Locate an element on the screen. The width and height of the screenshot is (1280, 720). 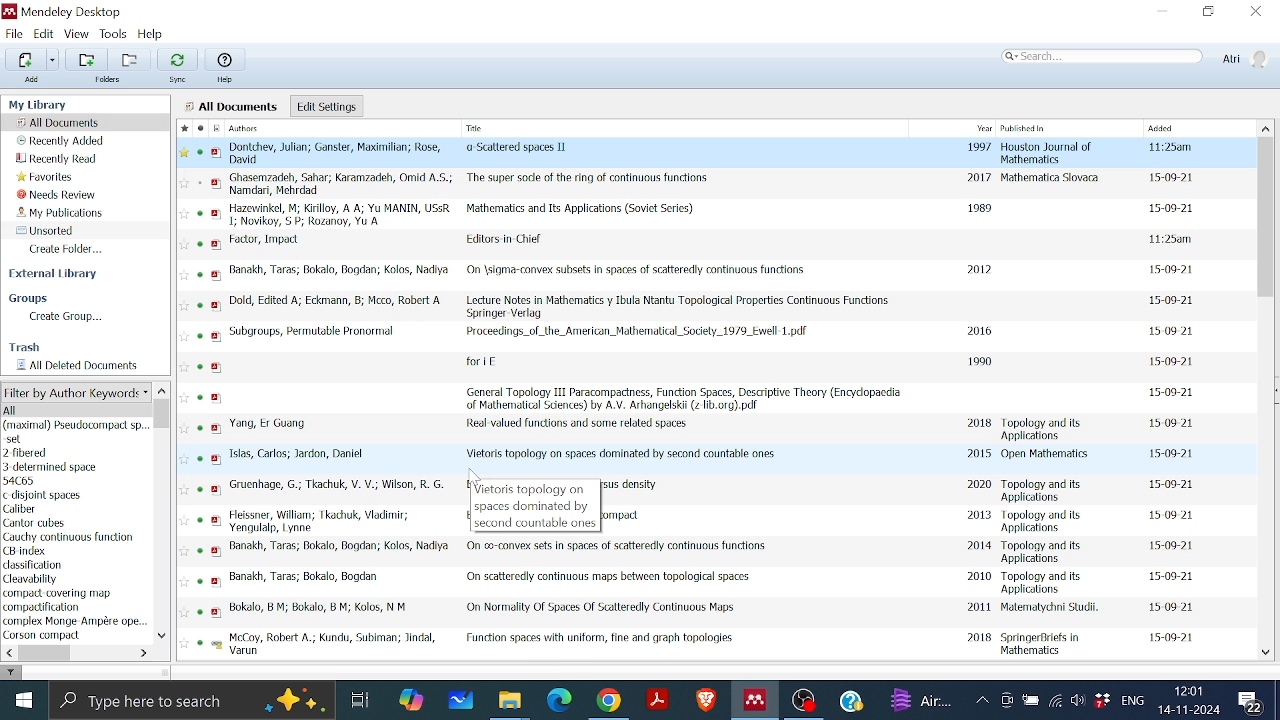
Authors is located at coordinates (247, 130).